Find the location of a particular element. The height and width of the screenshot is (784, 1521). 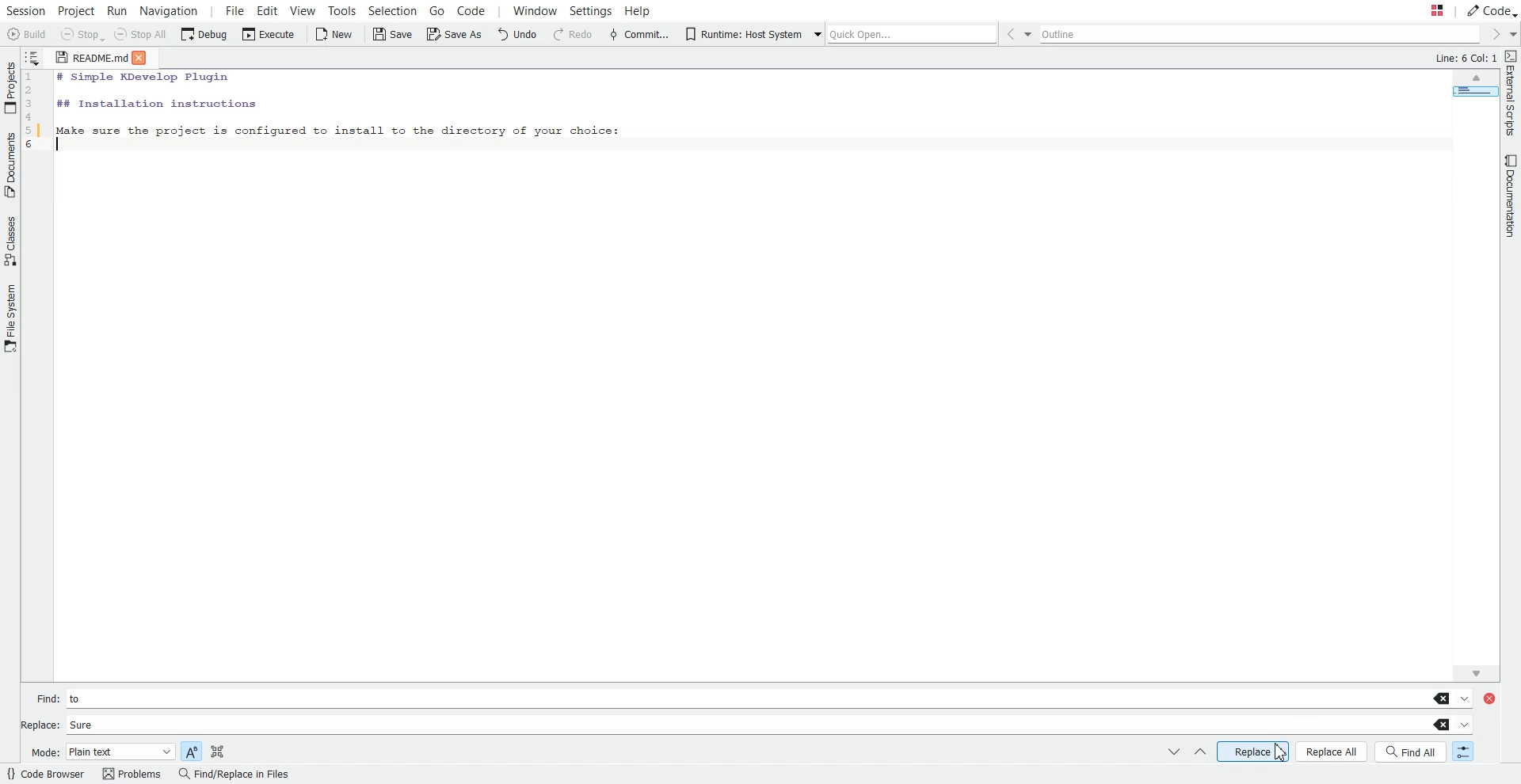

Stop All is located at coordinates (143, 36).